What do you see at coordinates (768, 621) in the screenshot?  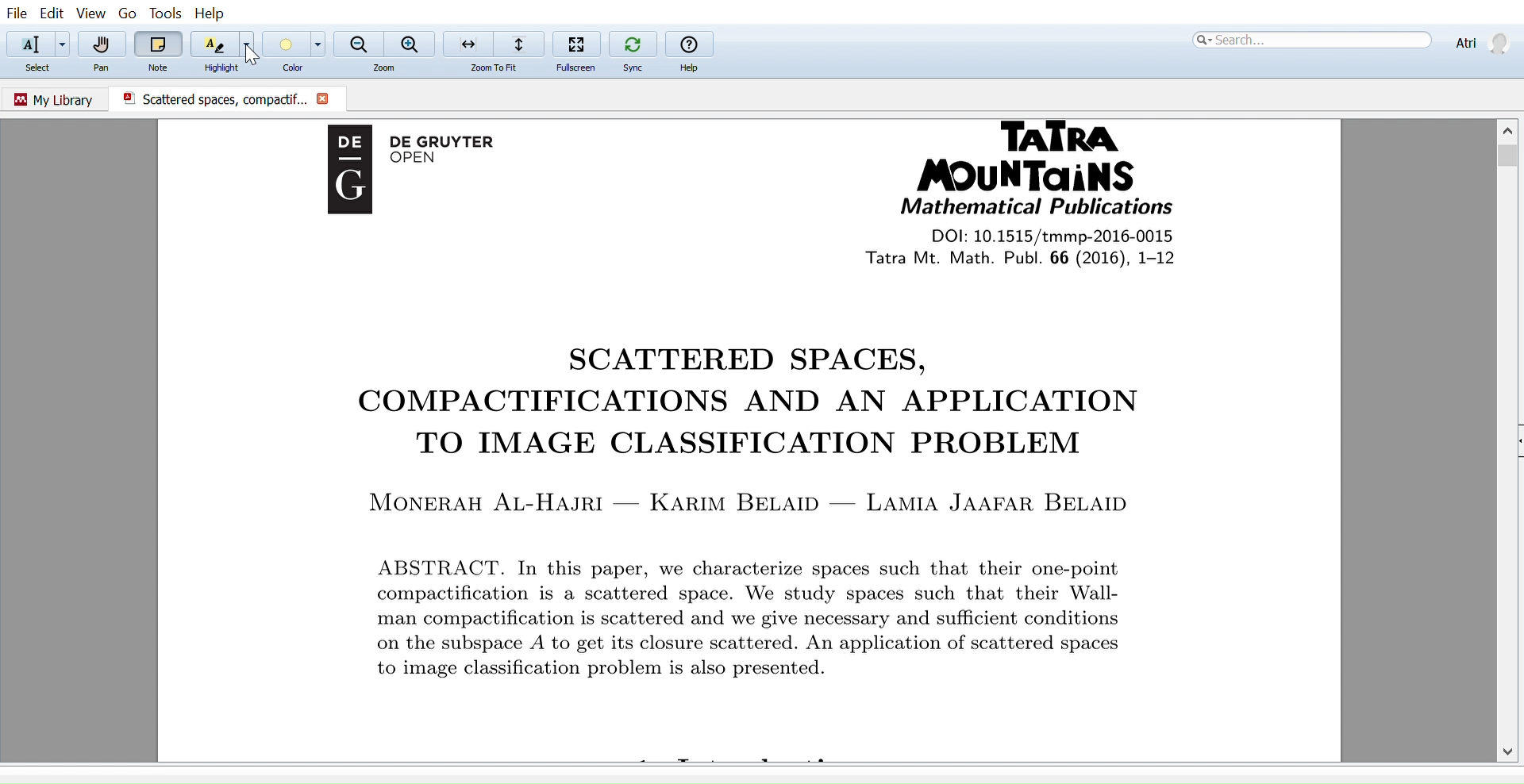 I see `man compactification is scattered and we give necessary and sufficient conditions` at bounding box center [768, 621].